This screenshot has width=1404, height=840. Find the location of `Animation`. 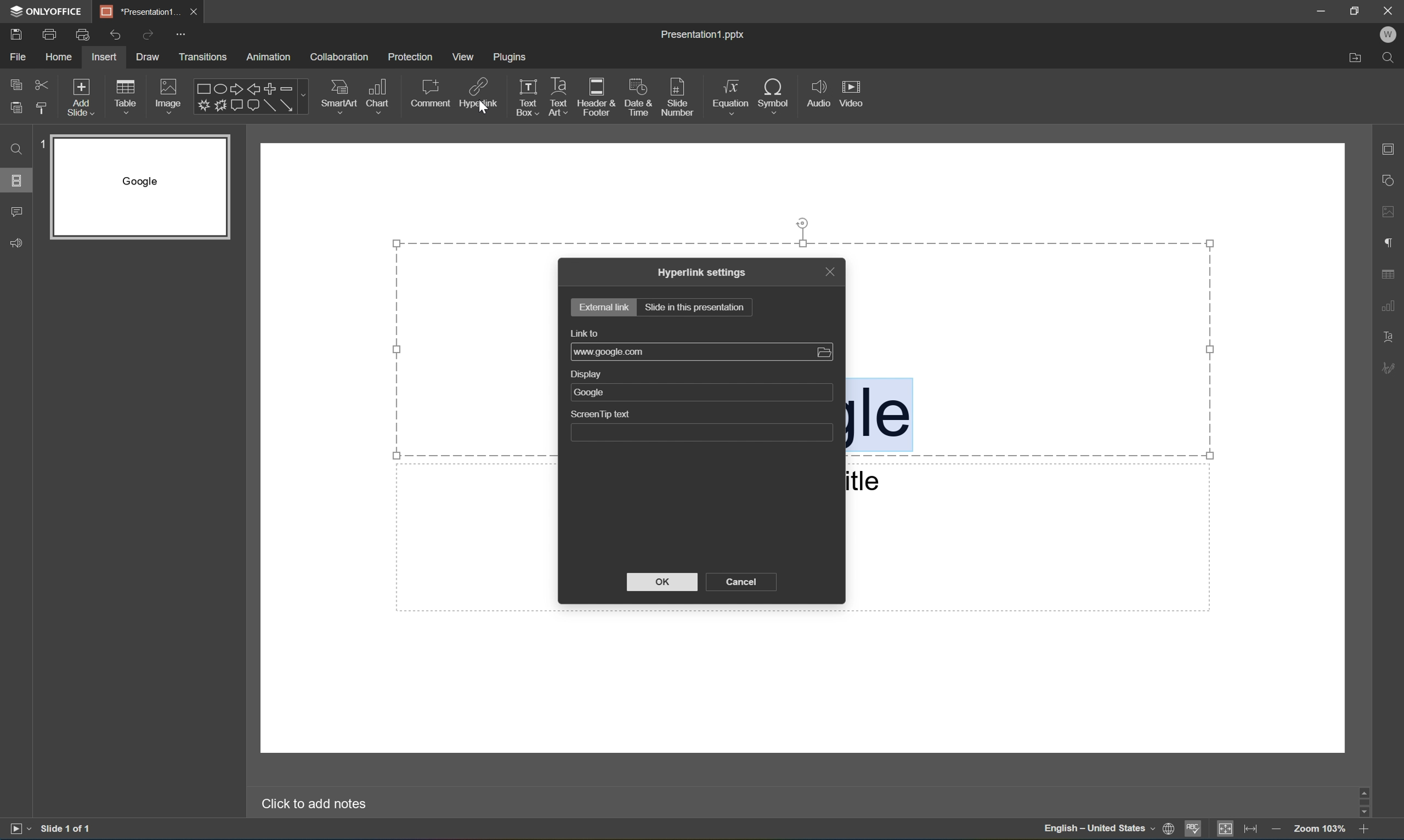

Animation is located at coordinates (272, 57).